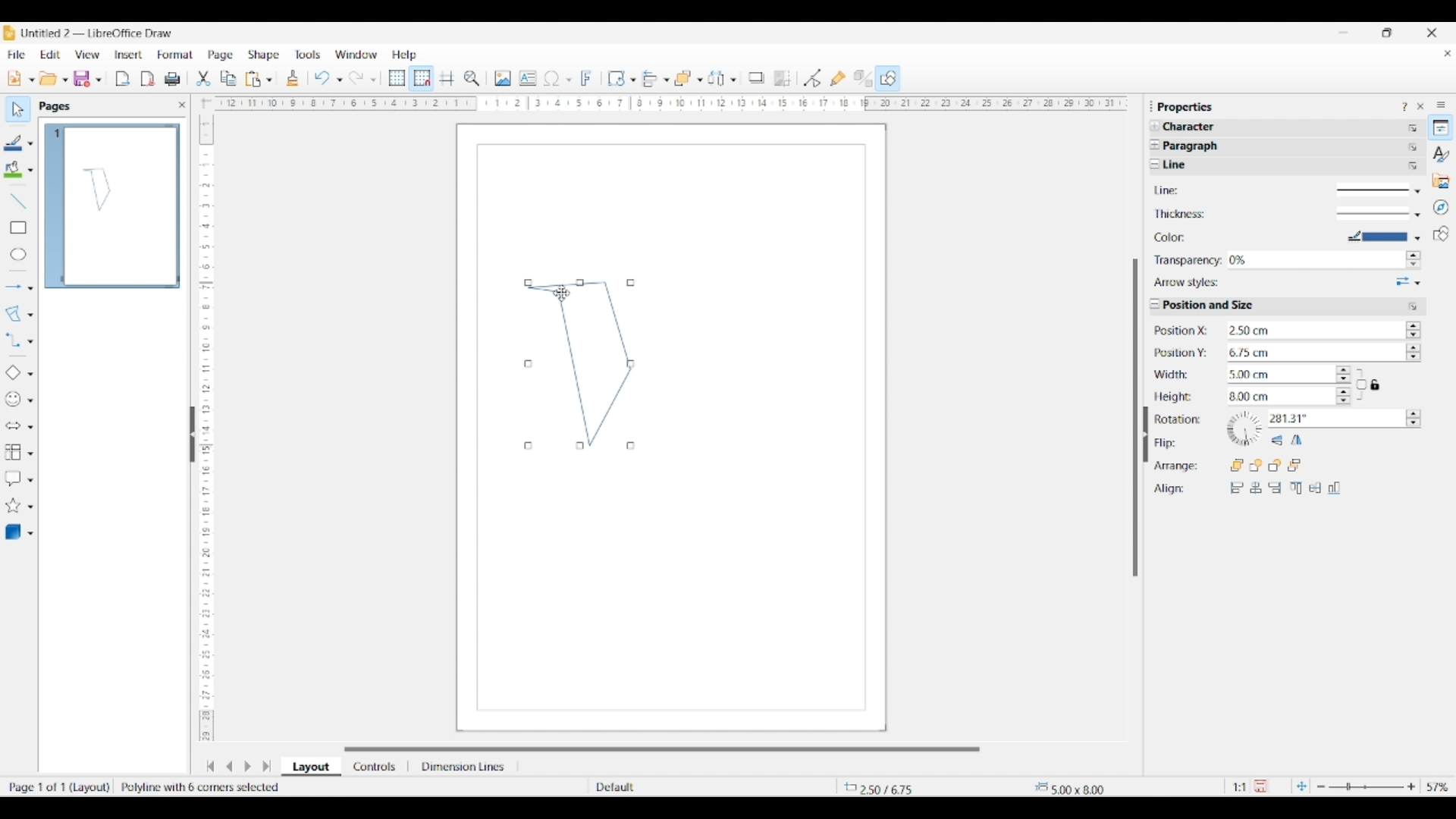 The height and width of the screenshot is (819, 1456). Describe the element at coordinates (1411, 786) in the screenshot. I see `Zoom in` at that location.